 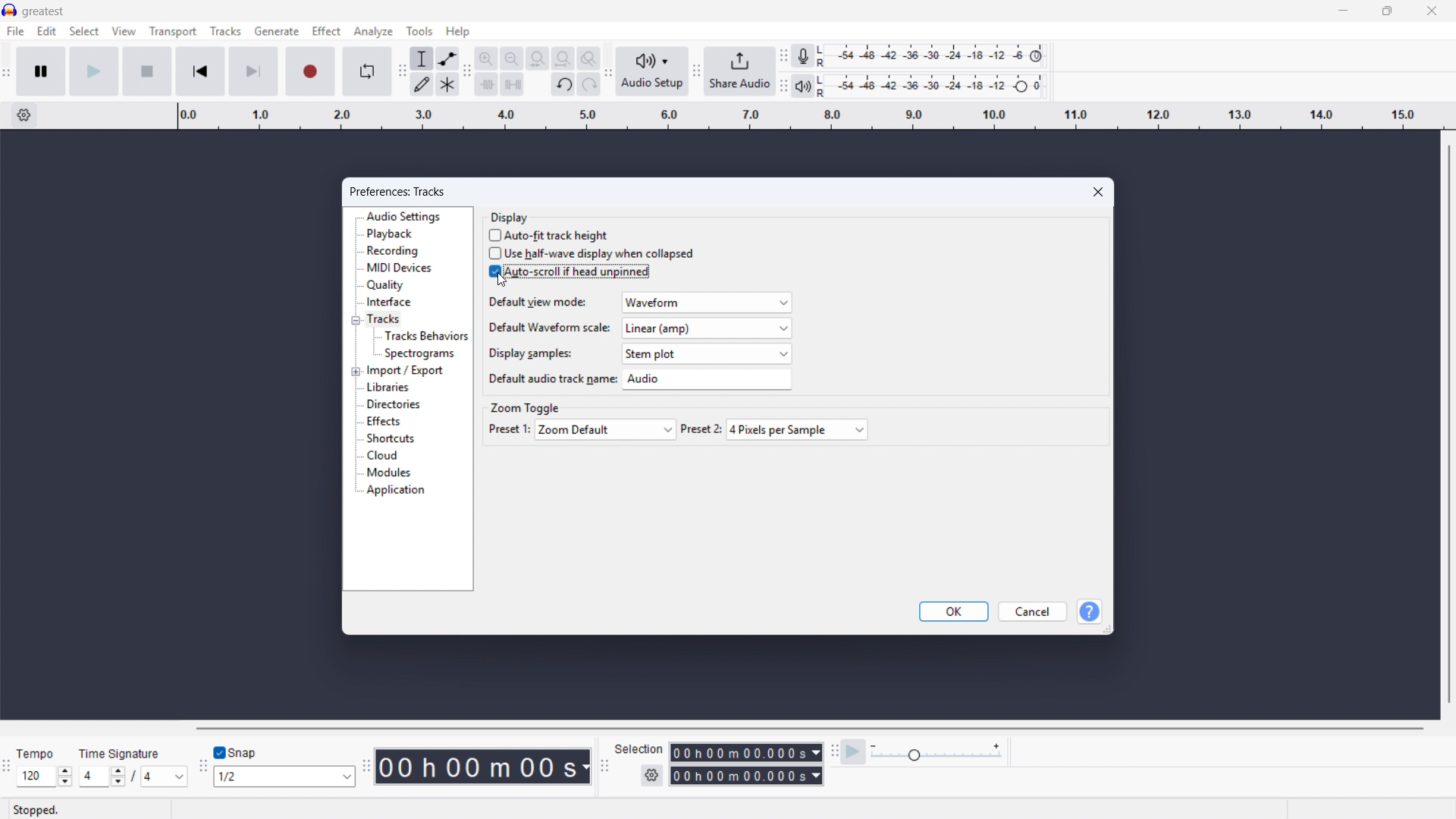 I want to click on Audio settings , so click(x=404, y=217).